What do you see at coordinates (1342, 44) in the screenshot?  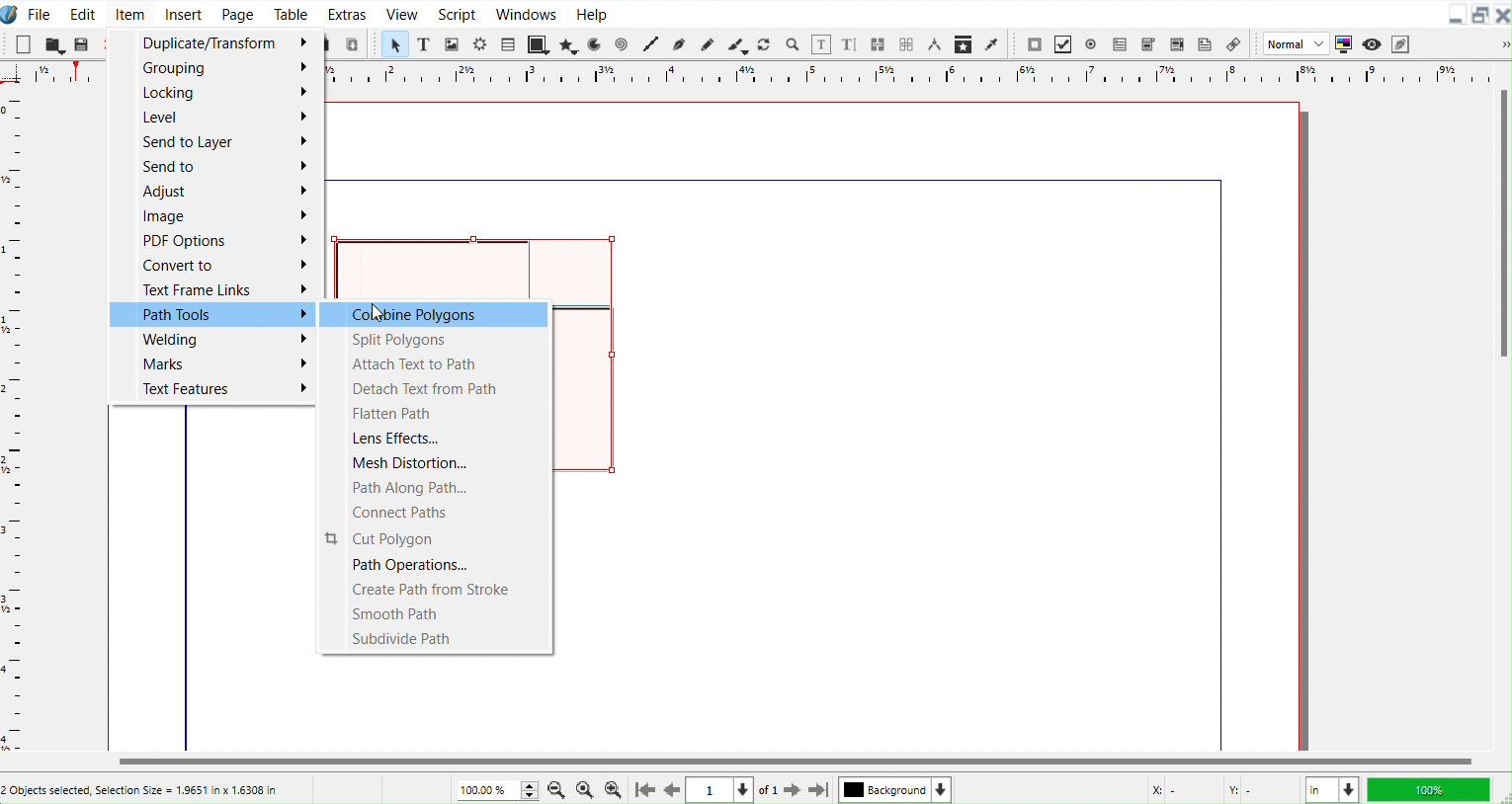 I see `Toggle color` at bounding box center [1342, 44].